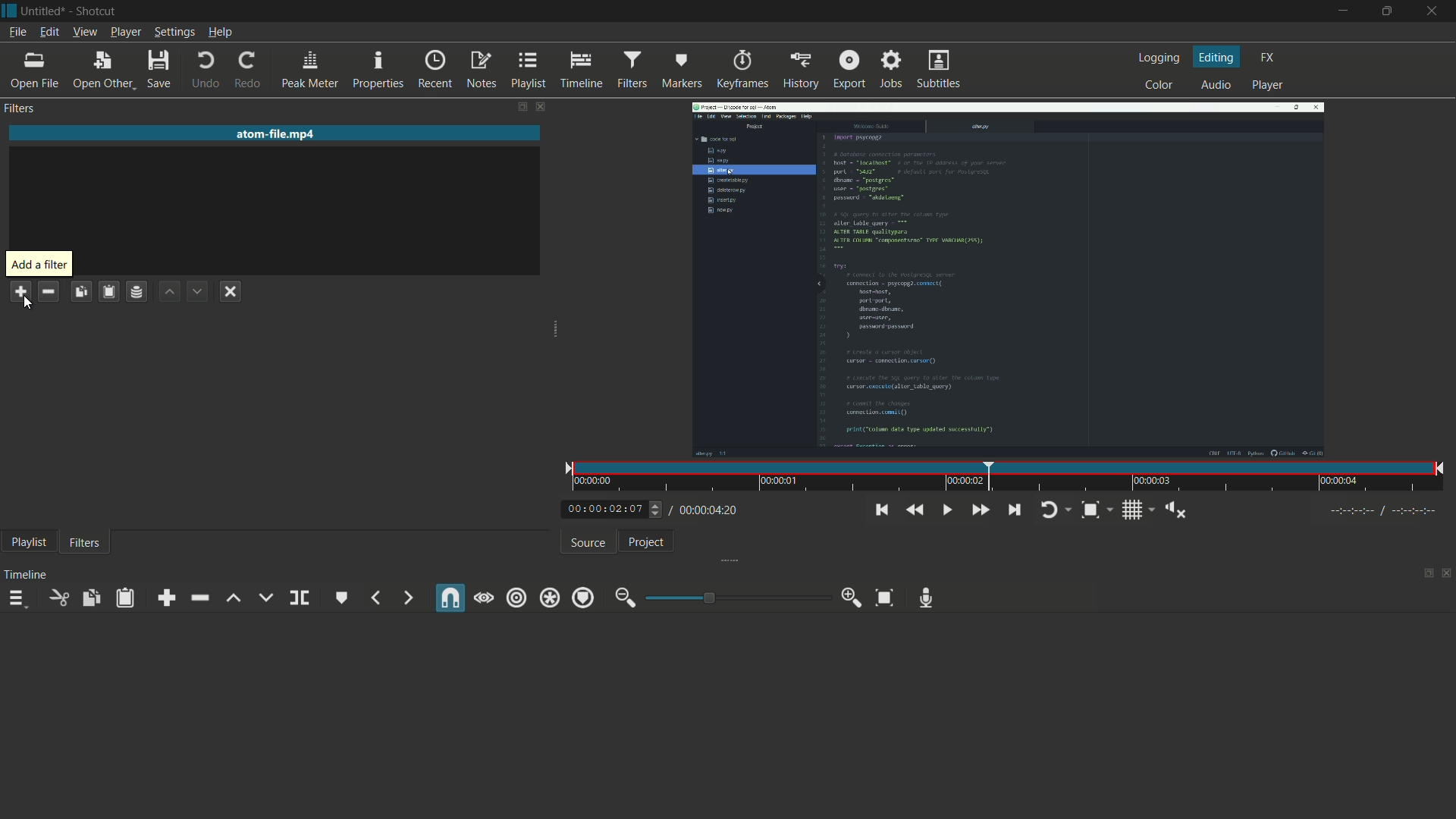  What do you see at coordinates (33, 71) in the screenshot?
I see `open file` at bounding box center [33, 71].